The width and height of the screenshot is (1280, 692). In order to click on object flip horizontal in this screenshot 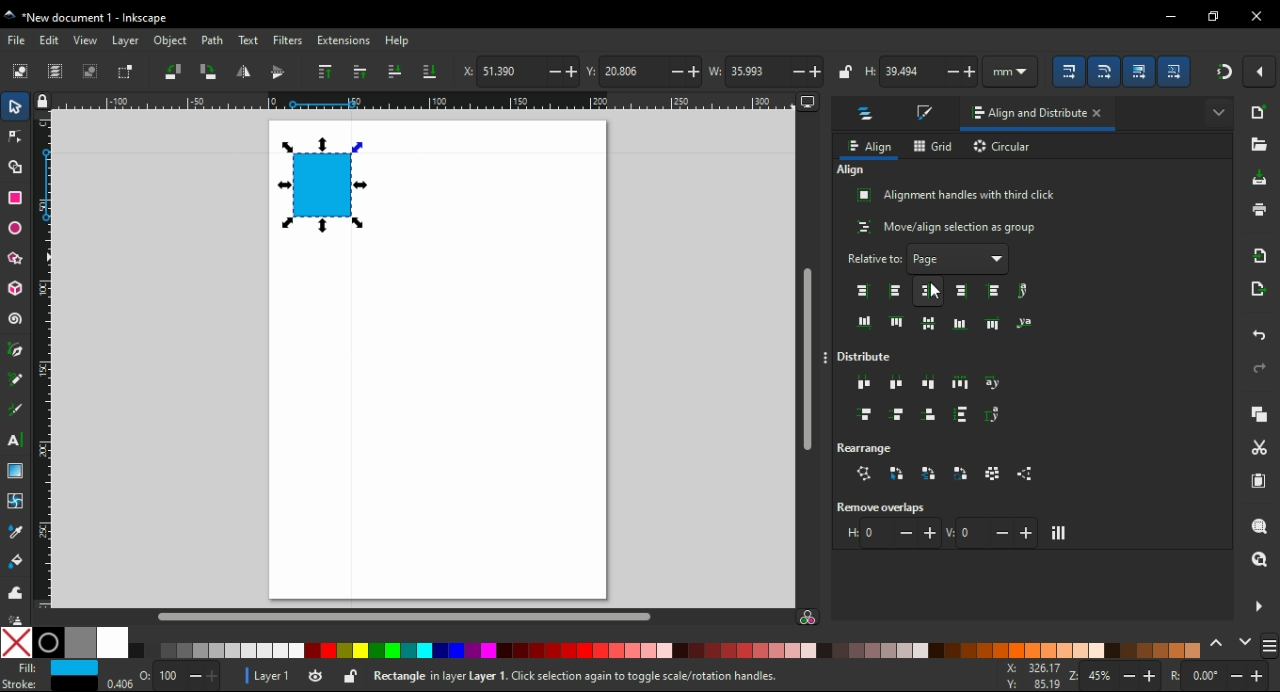, I will do `click(243, 73)`.